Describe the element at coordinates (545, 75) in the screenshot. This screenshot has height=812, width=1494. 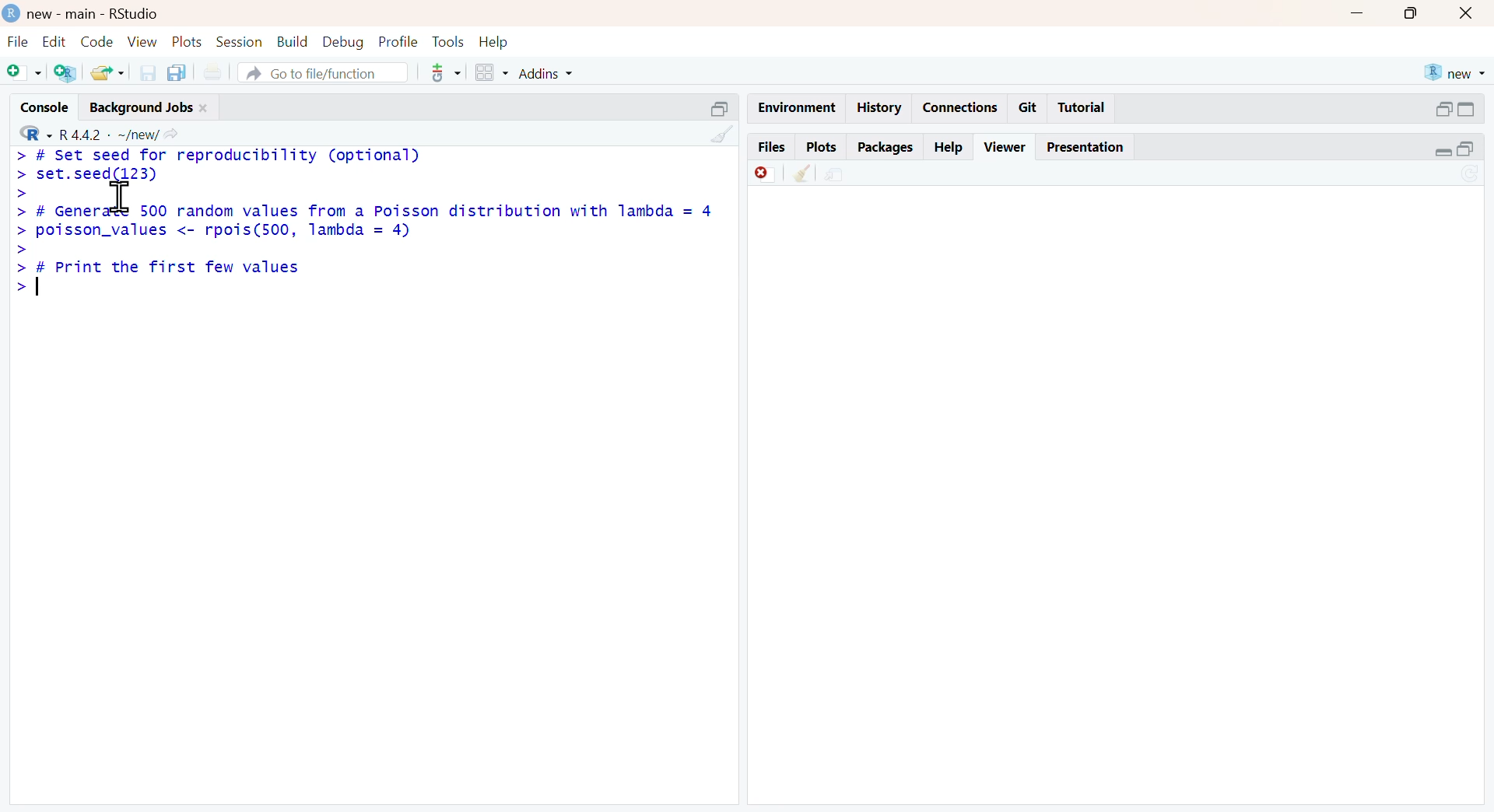
I see `addins` at that location.